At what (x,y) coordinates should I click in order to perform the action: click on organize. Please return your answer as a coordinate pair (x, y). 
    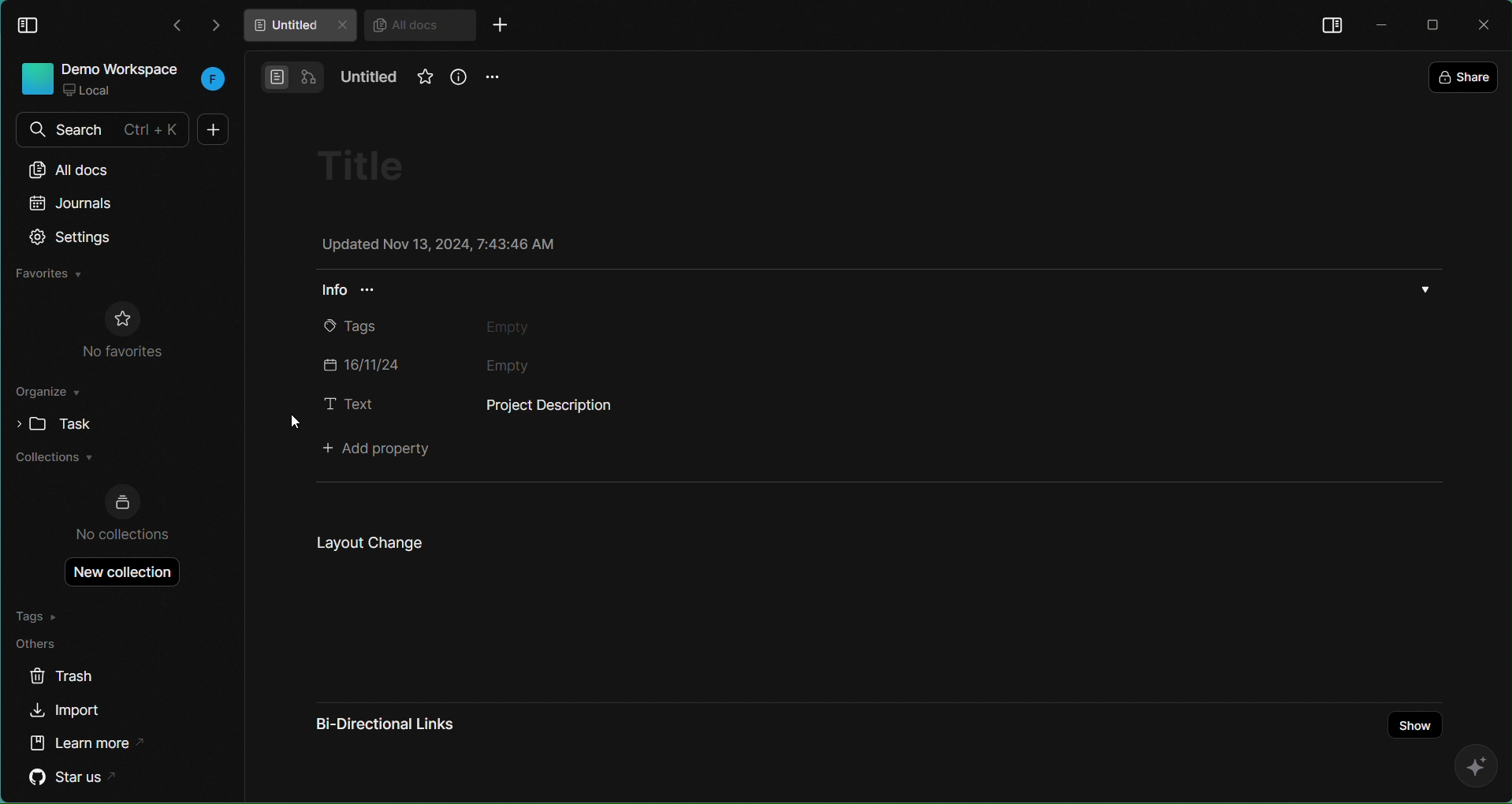
    Looking at the image, I should click on (49, 395).